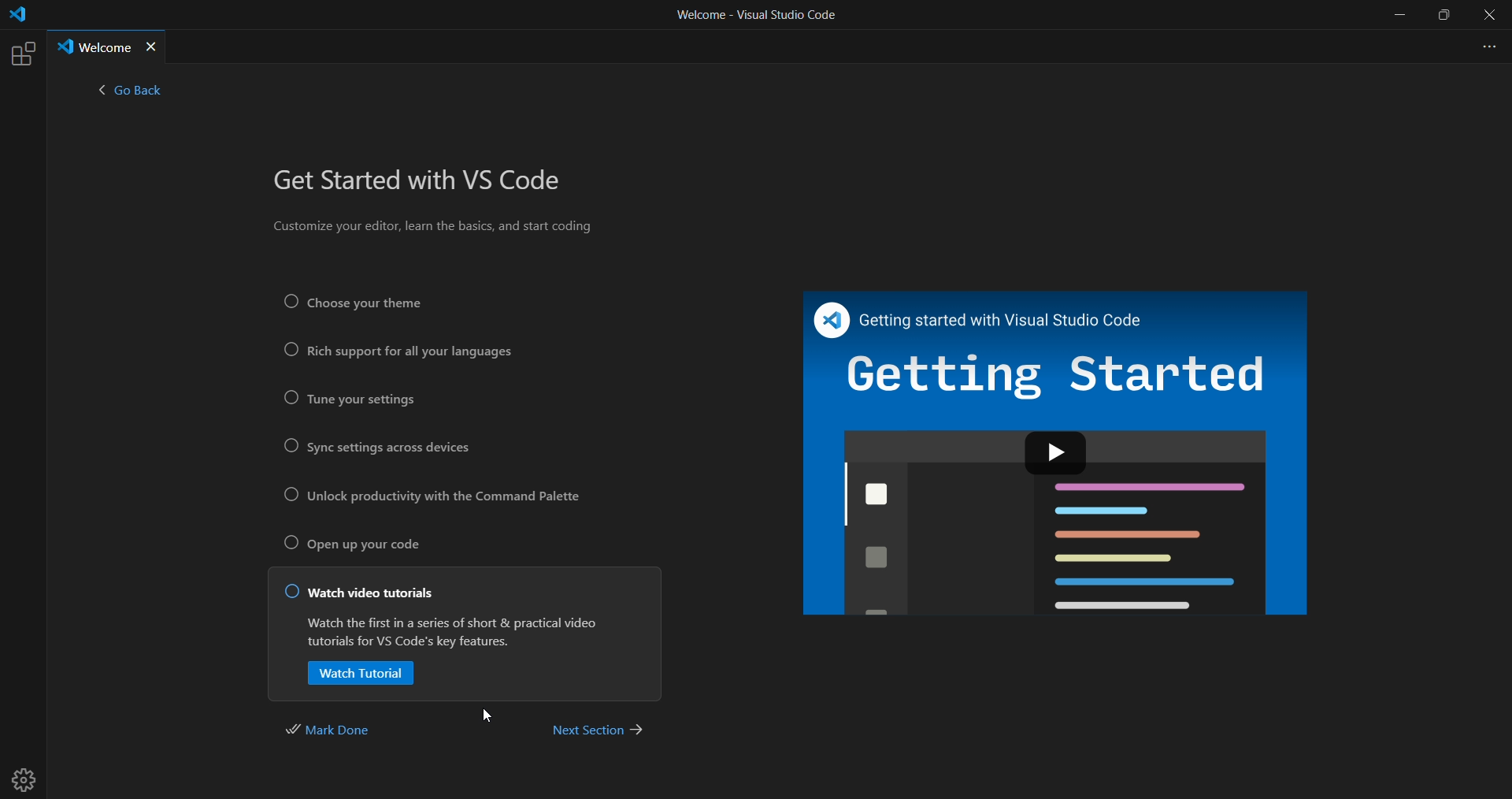 This screenshot has height=799, width=1512. I want to click on sample display, so click(1060, 549).